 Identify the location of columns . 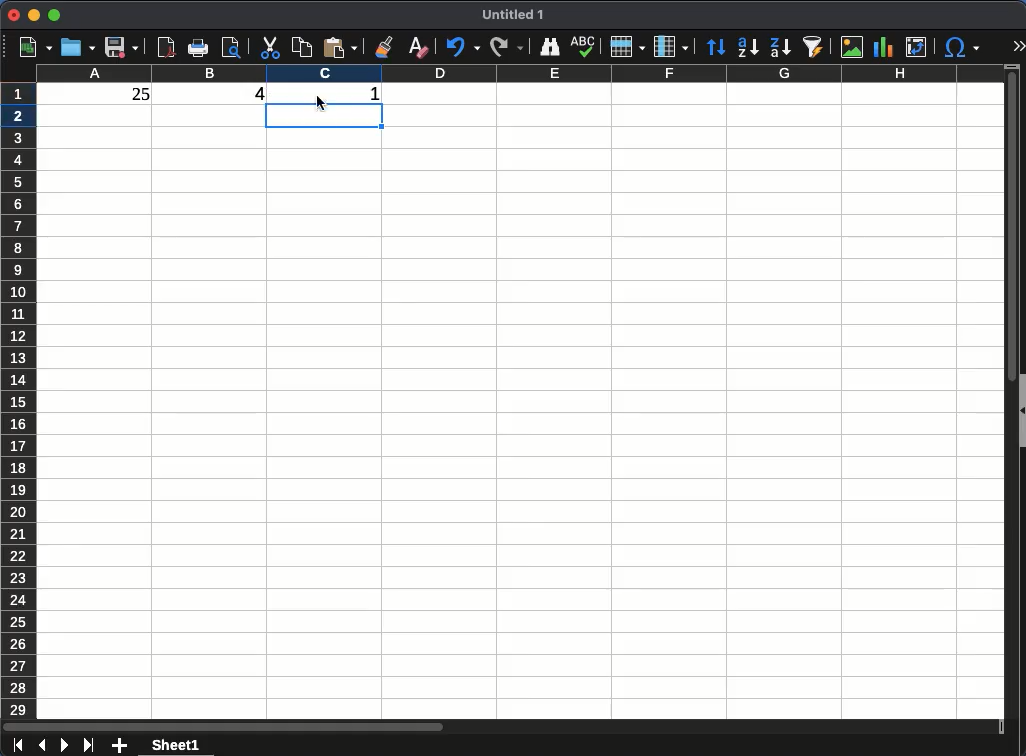
(515, 74).